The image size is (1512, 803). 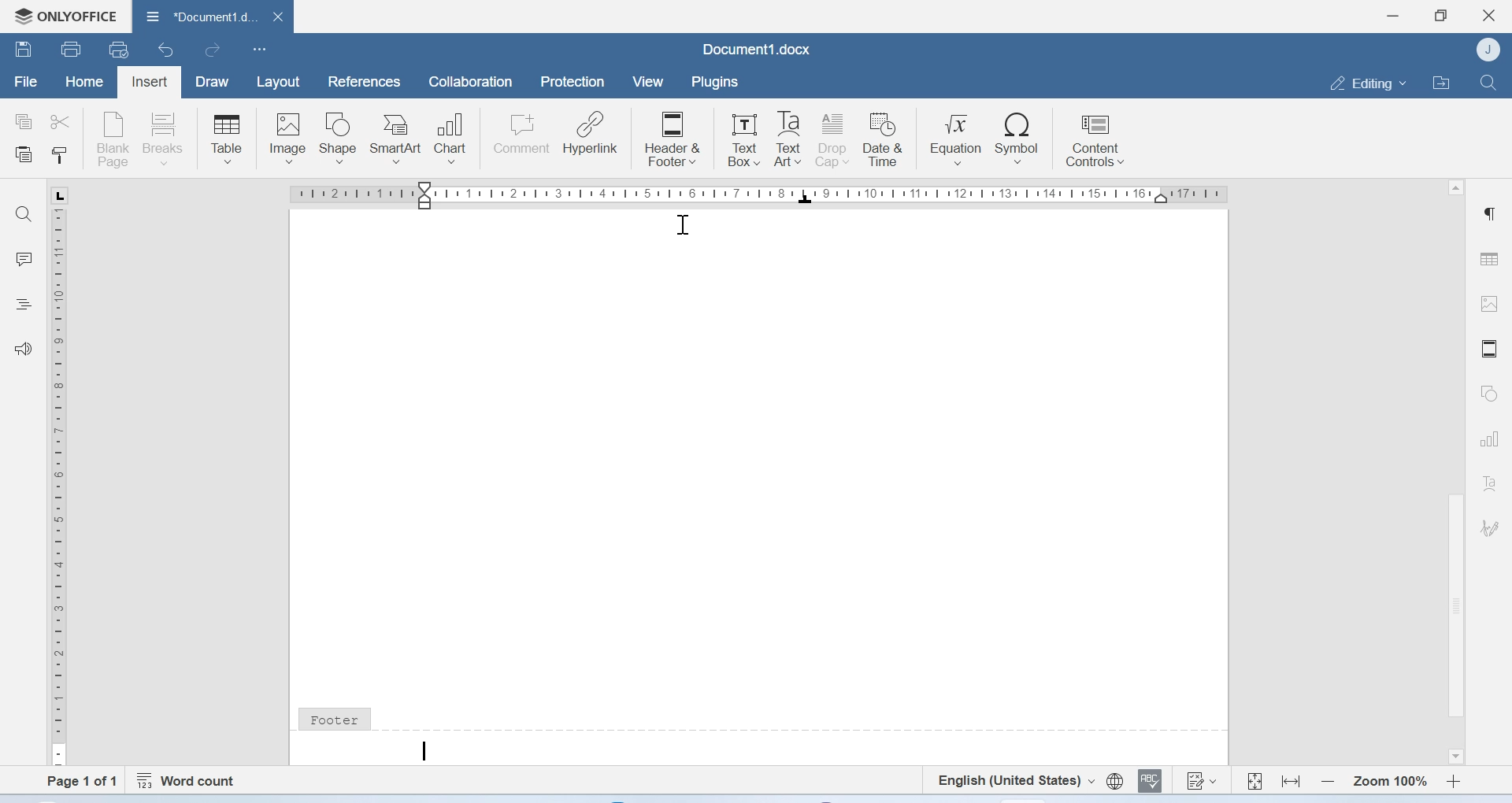 I want to click on Blank page, so click(x=114, y=138).